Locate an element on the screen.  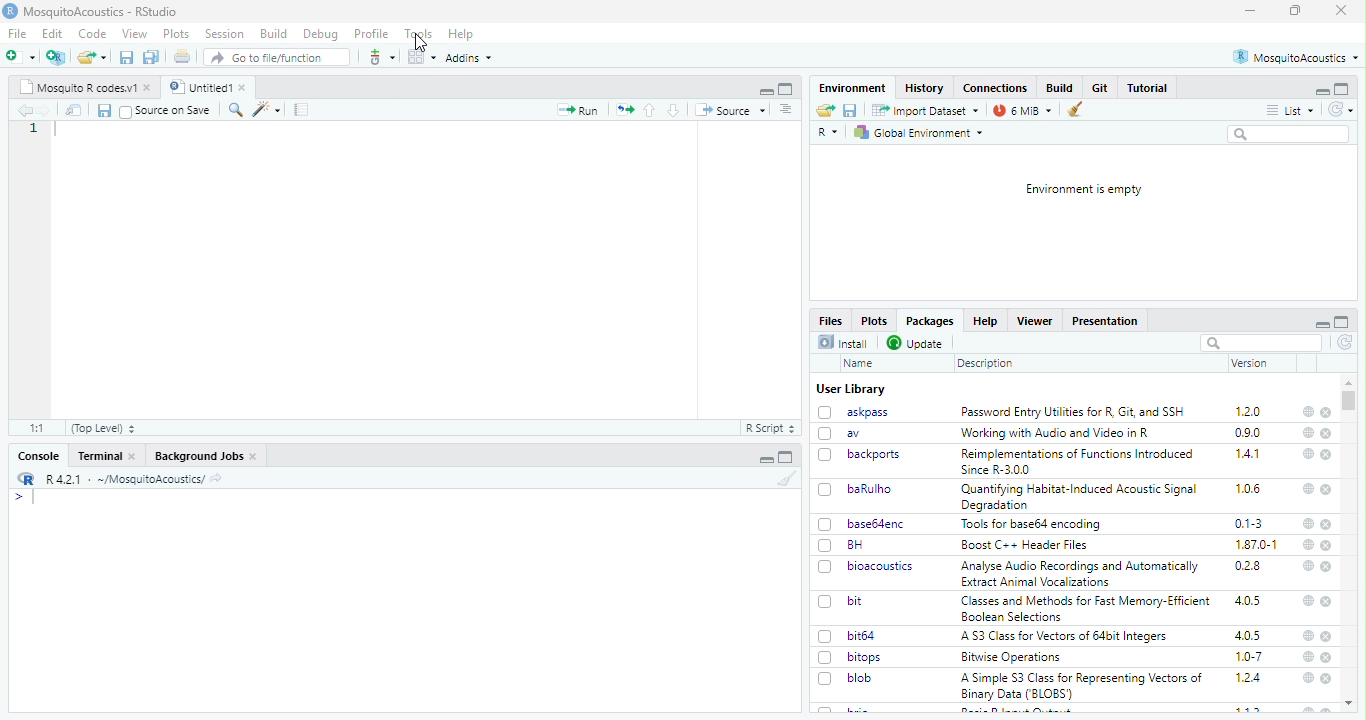
web is located at coordinates (1309, 600).